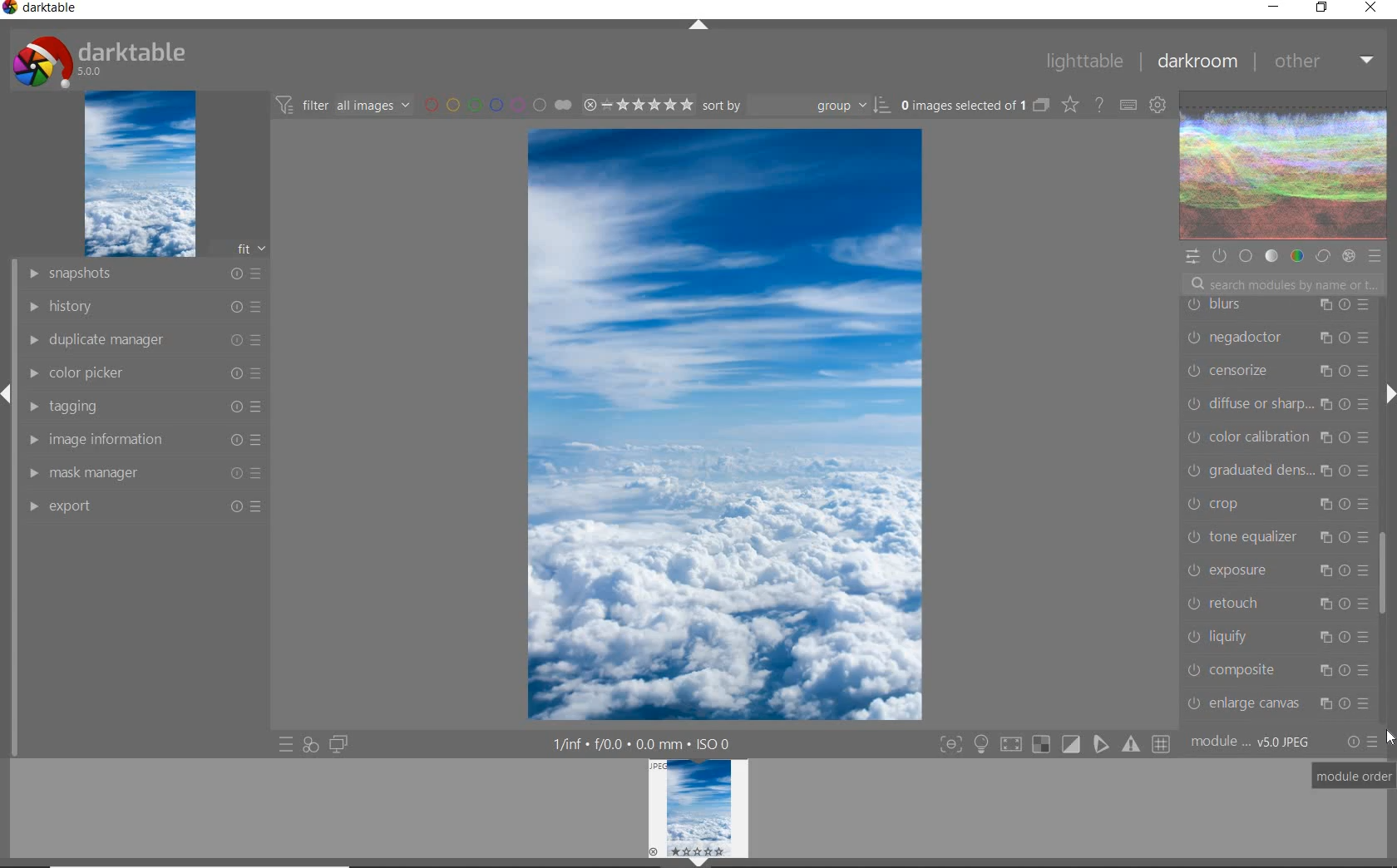 The image size is (1397, 868). What do you see at coordinates (143, 305) in the screenshot?
I see `HISTORY` at bounding box center [143, 305].